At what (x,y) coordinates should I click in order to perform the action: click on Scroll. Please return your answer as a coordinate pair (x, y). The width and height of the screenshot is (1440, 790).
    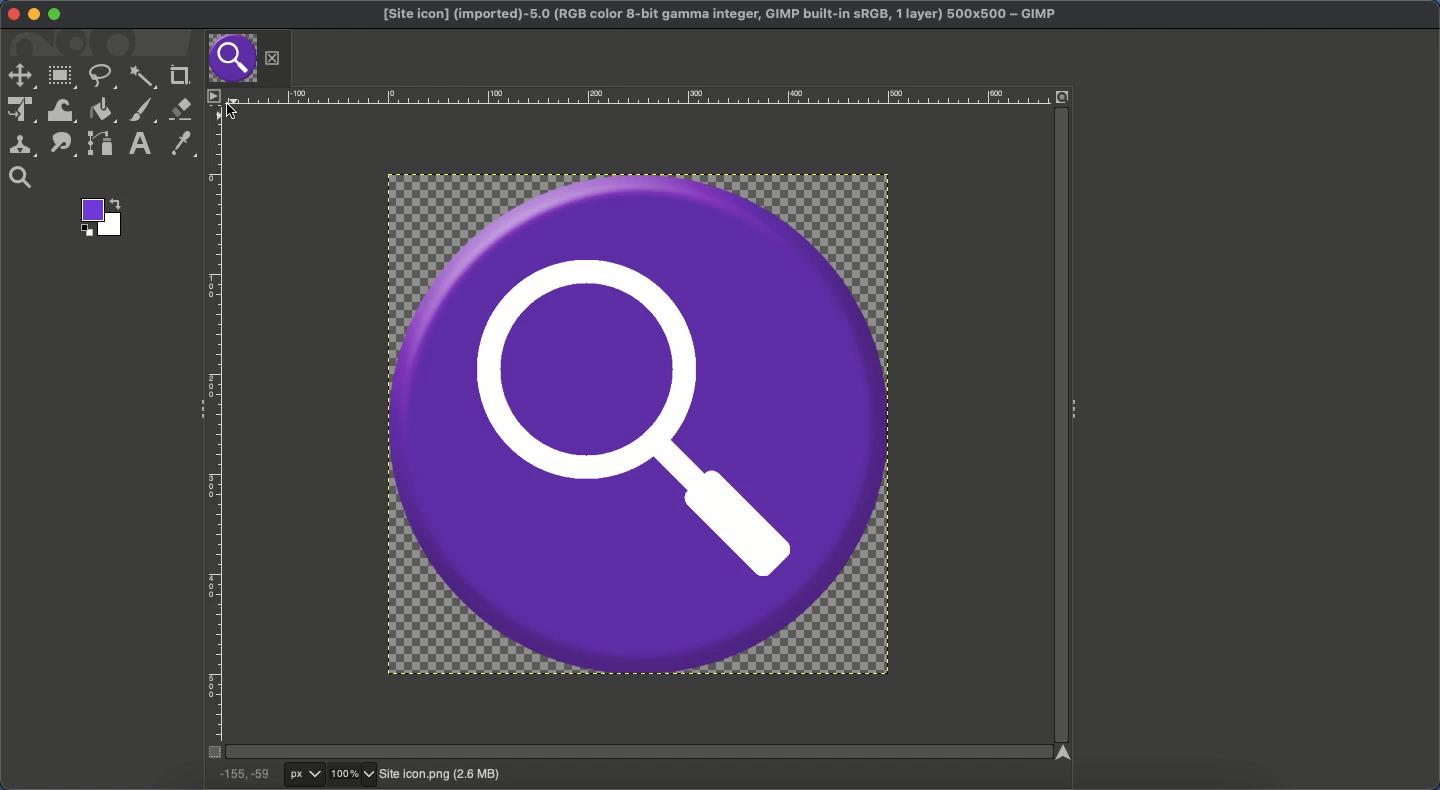
    Looking at the image, I should click on (634, 752).